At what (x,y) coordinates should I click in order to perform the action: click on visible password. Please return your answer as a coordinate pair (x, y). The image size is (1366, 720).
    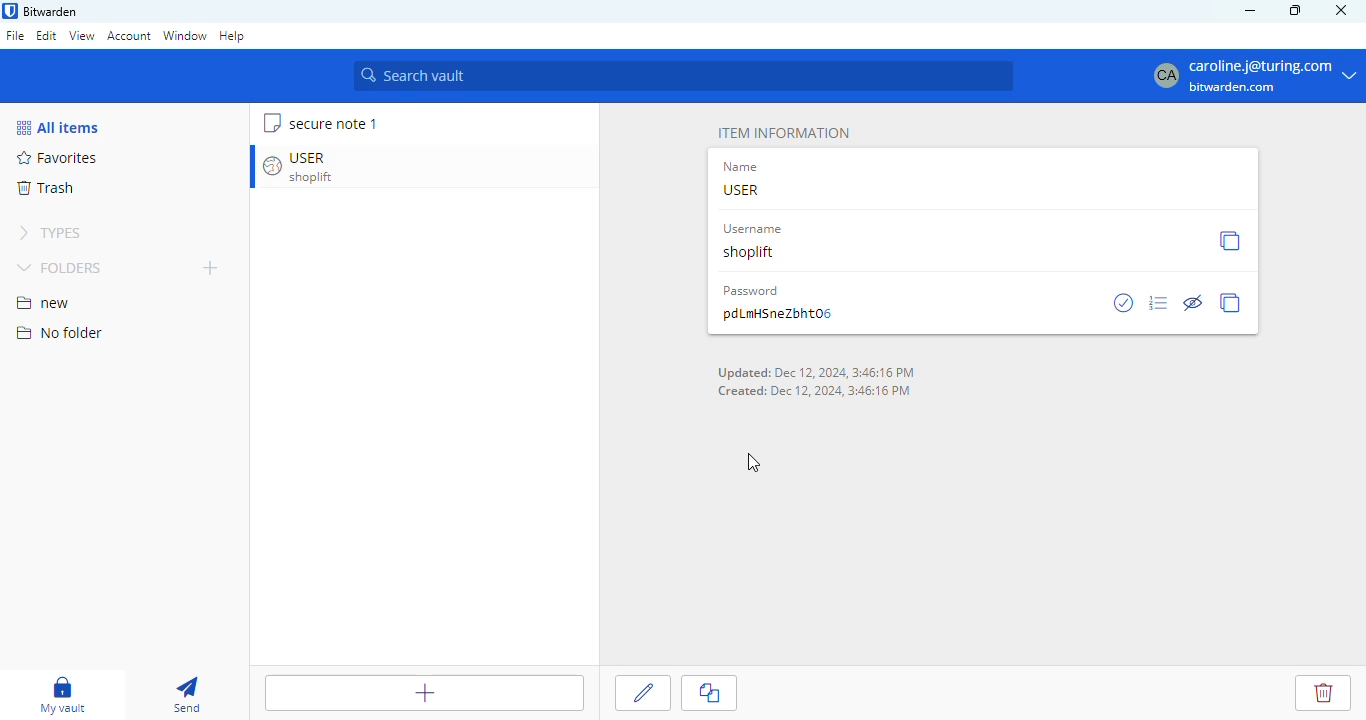
    Looking at the image, I should click on (780, 313).